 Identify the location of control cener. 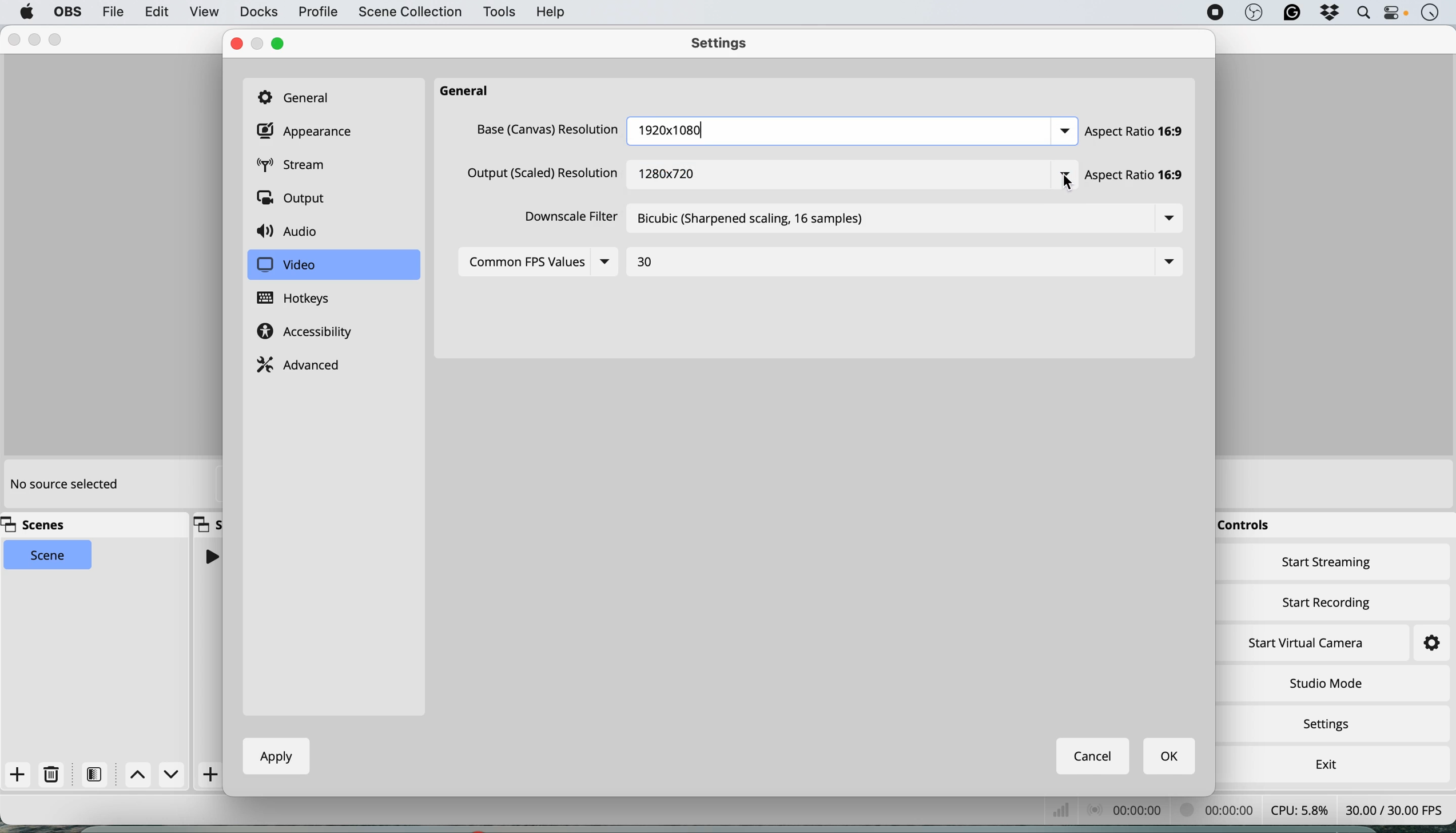
(1395, 15).